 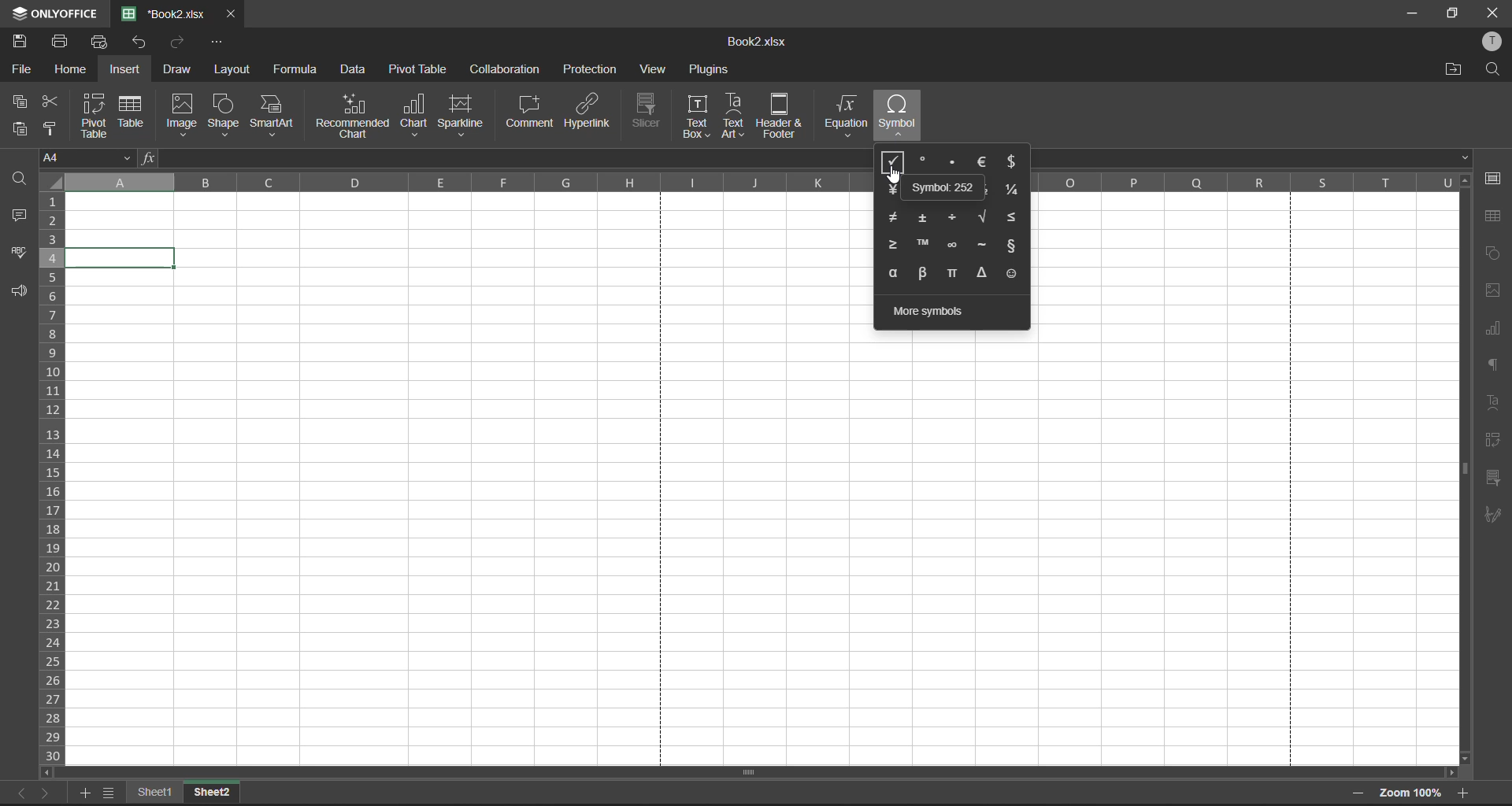 What do you see at coordinates (1413, 793) in the screenshot?
I see `zoom factor` at bounding box center [1413, 793].